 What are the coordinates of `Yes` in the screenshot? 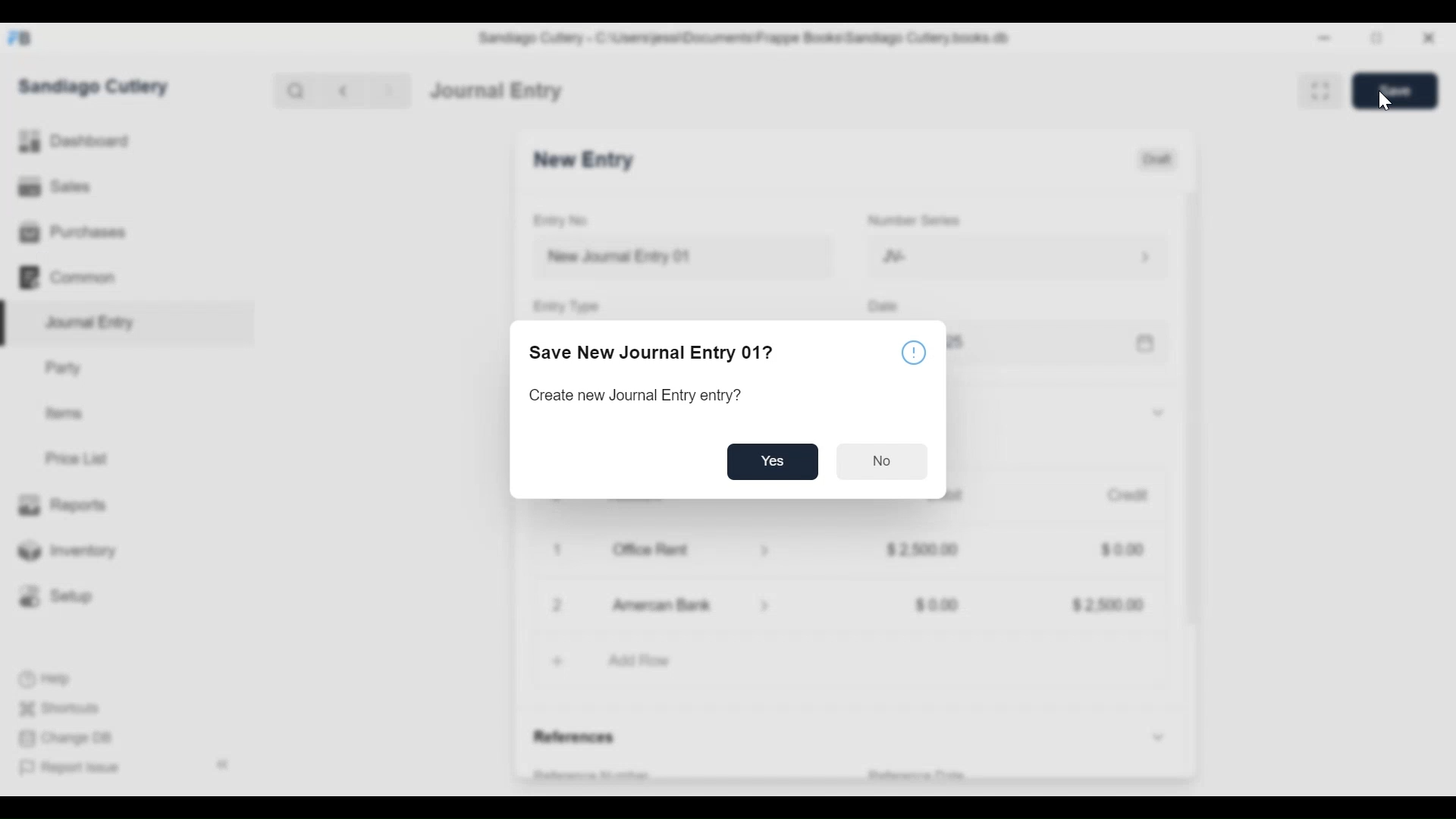 It's located at (772, 462).